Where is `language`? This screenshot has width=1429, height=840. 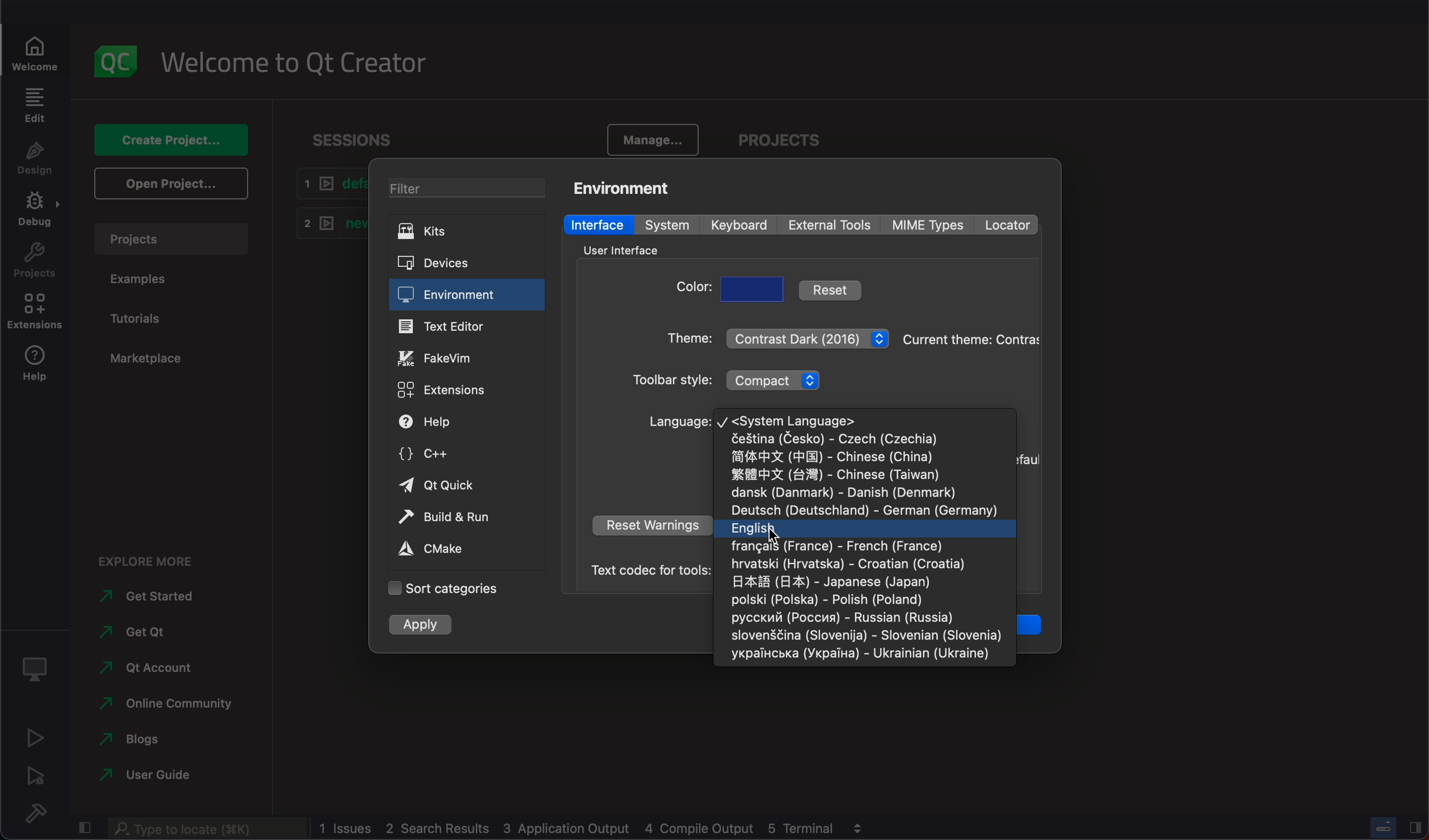 language is located at coordinates (677, 422).